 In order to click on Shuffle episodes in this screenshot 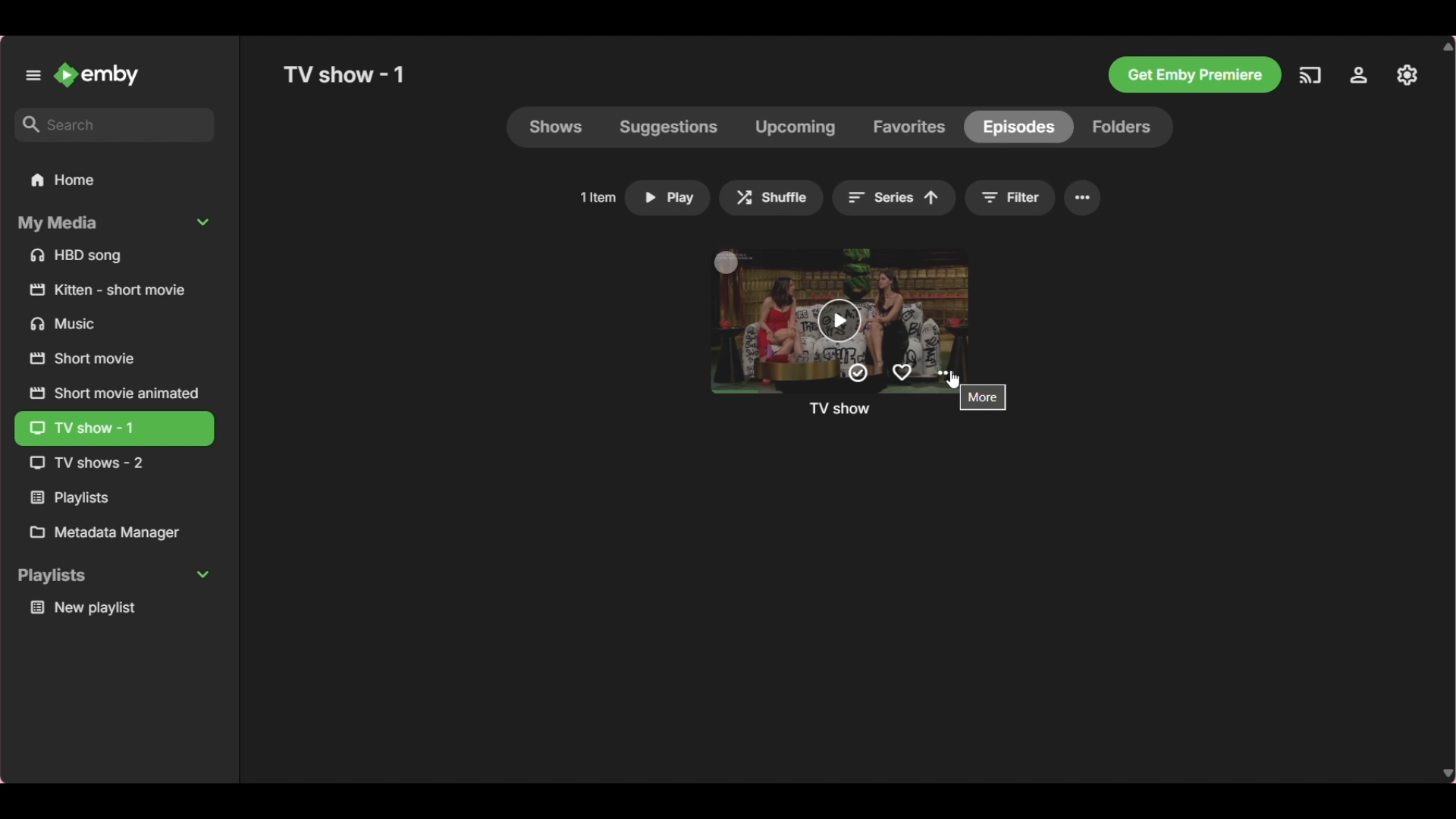, I will do `click(772, 198)`.